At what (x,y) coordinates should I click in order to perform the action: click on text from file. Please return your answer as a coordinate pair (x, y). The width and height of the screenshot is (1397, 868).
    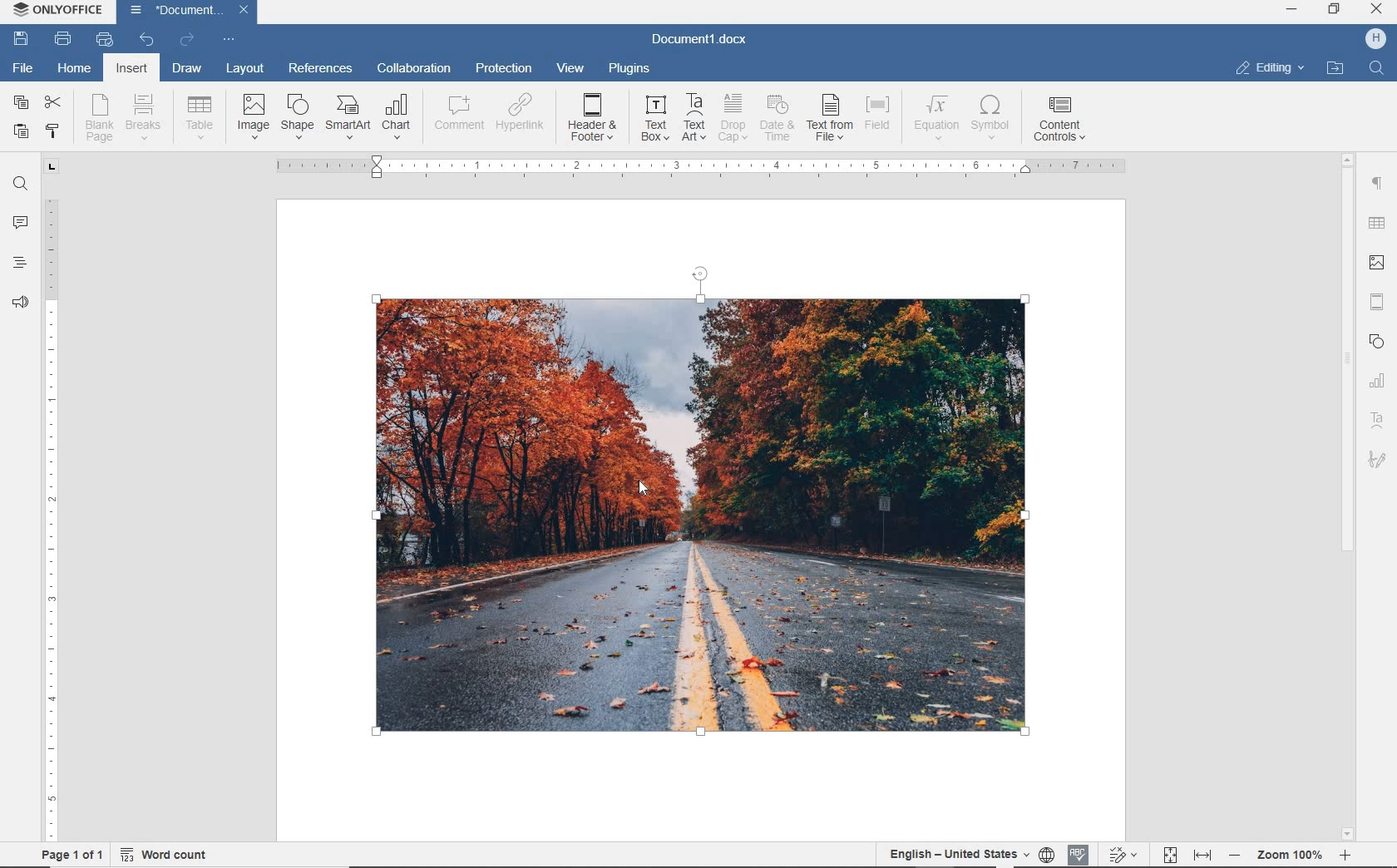
    Looking at the image, I should click on (831, 117).